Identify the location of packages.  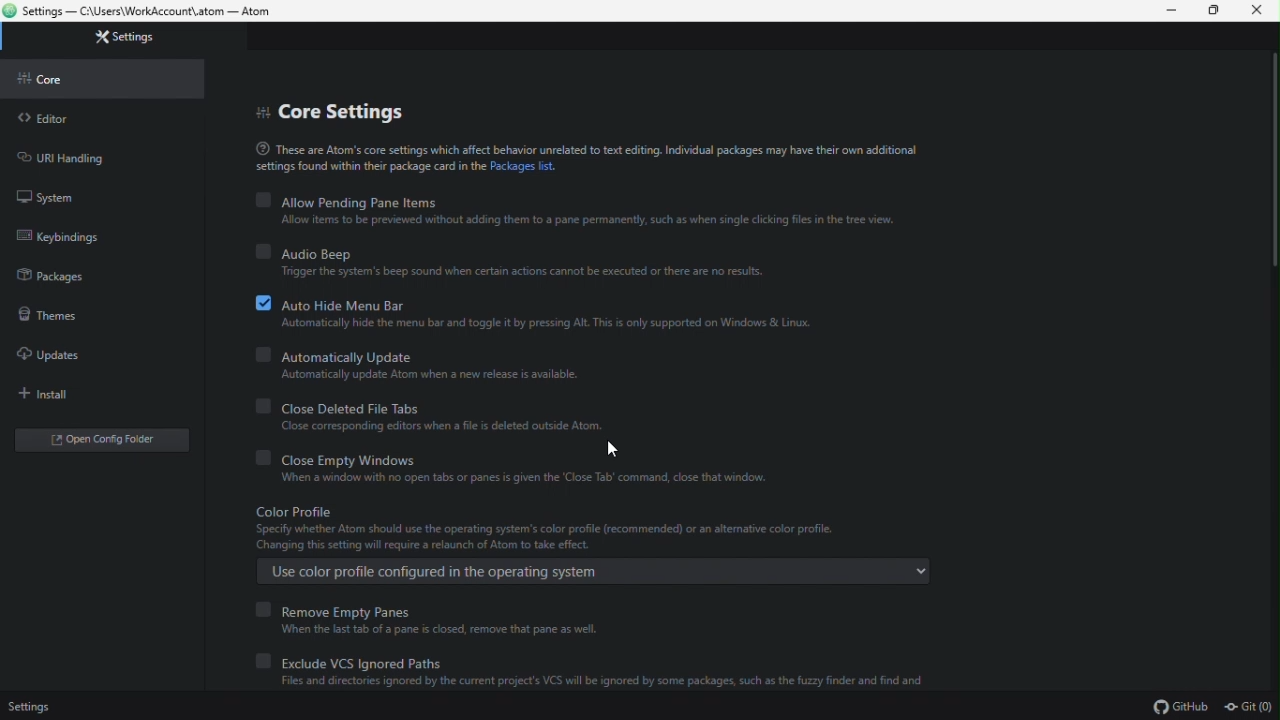
(109, 275).